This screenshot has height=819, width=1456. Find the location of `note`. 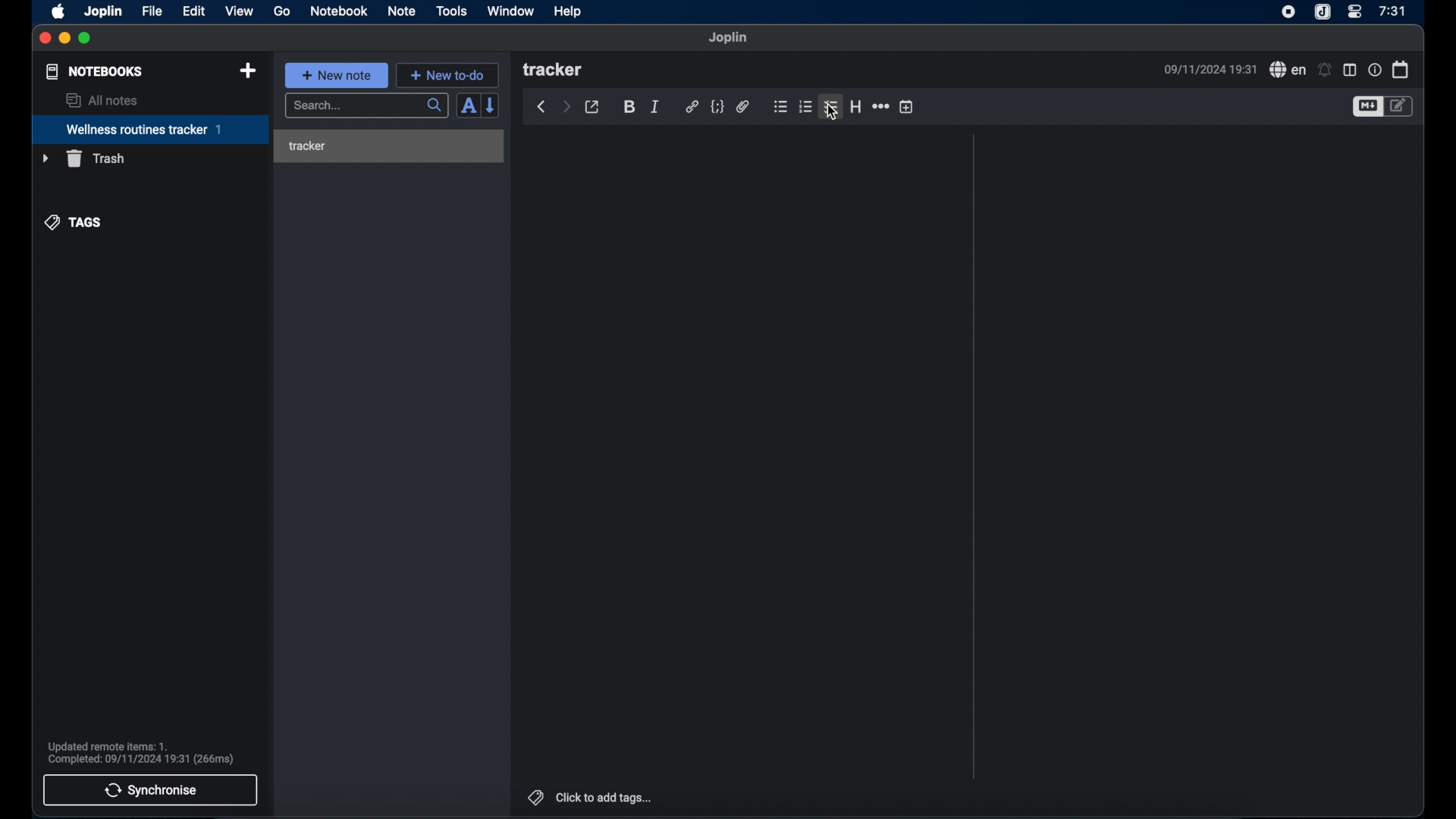

note is located at coordinates (402, 12).